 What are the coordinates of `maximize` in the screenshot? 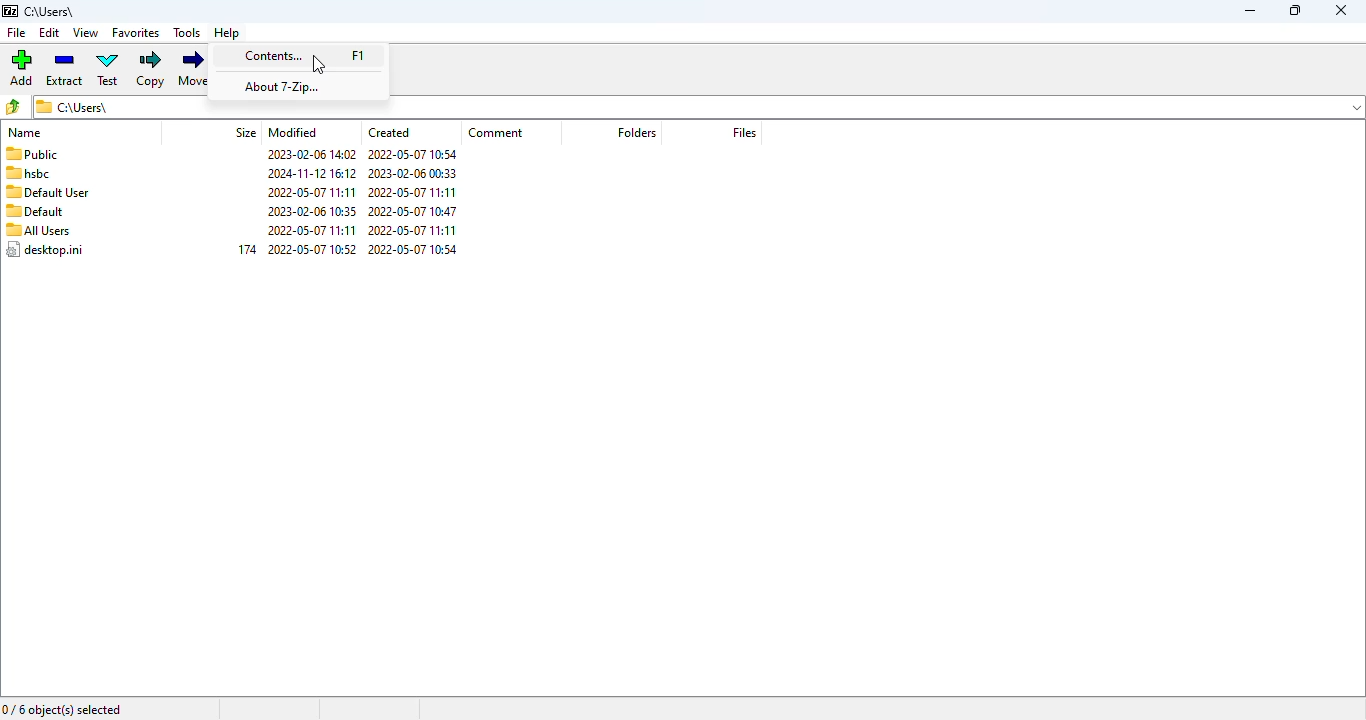 It's located at (1295, 10).